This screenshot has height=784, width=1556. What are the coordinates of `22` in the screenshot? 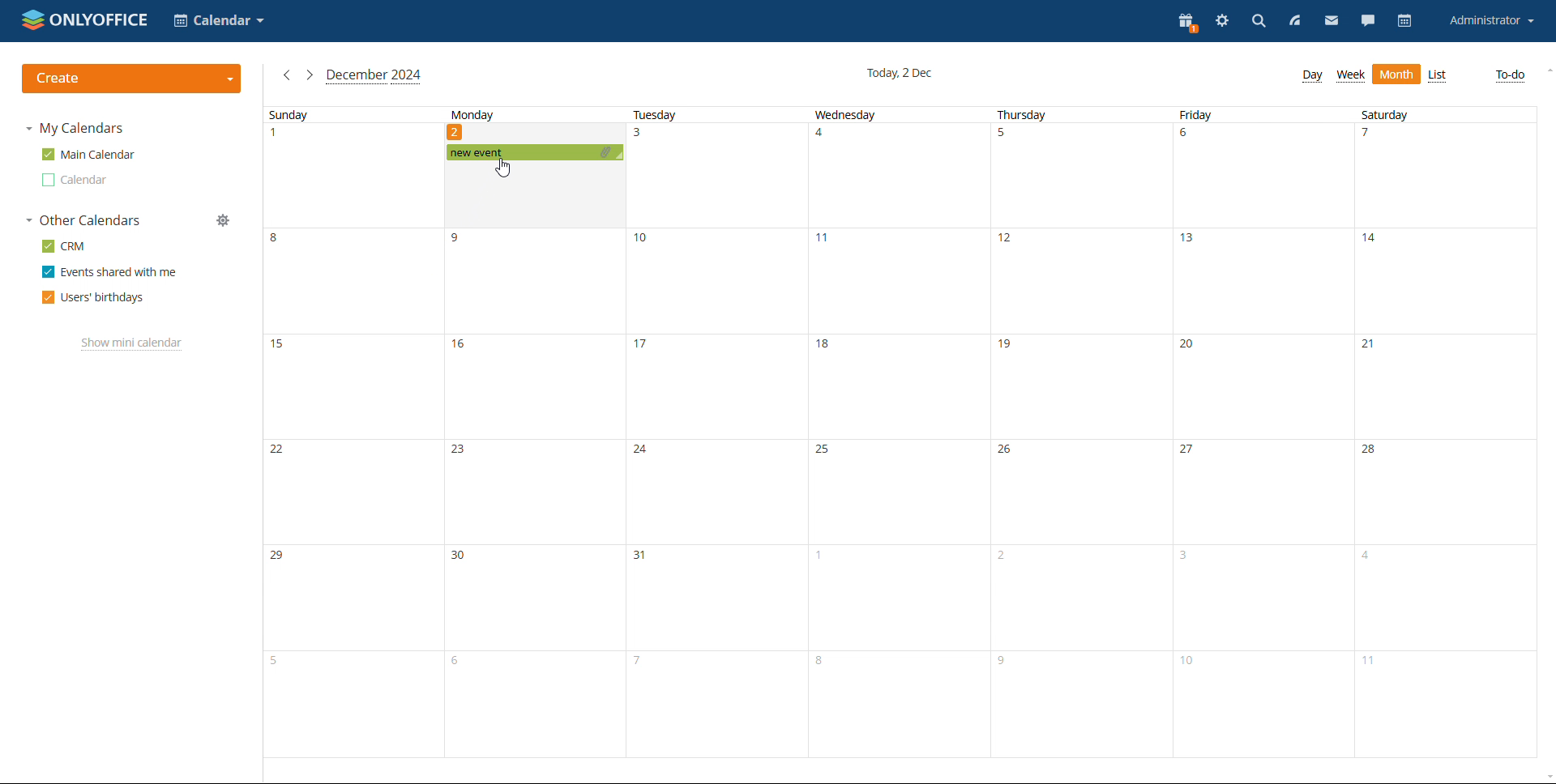 It's located at (276, 450).